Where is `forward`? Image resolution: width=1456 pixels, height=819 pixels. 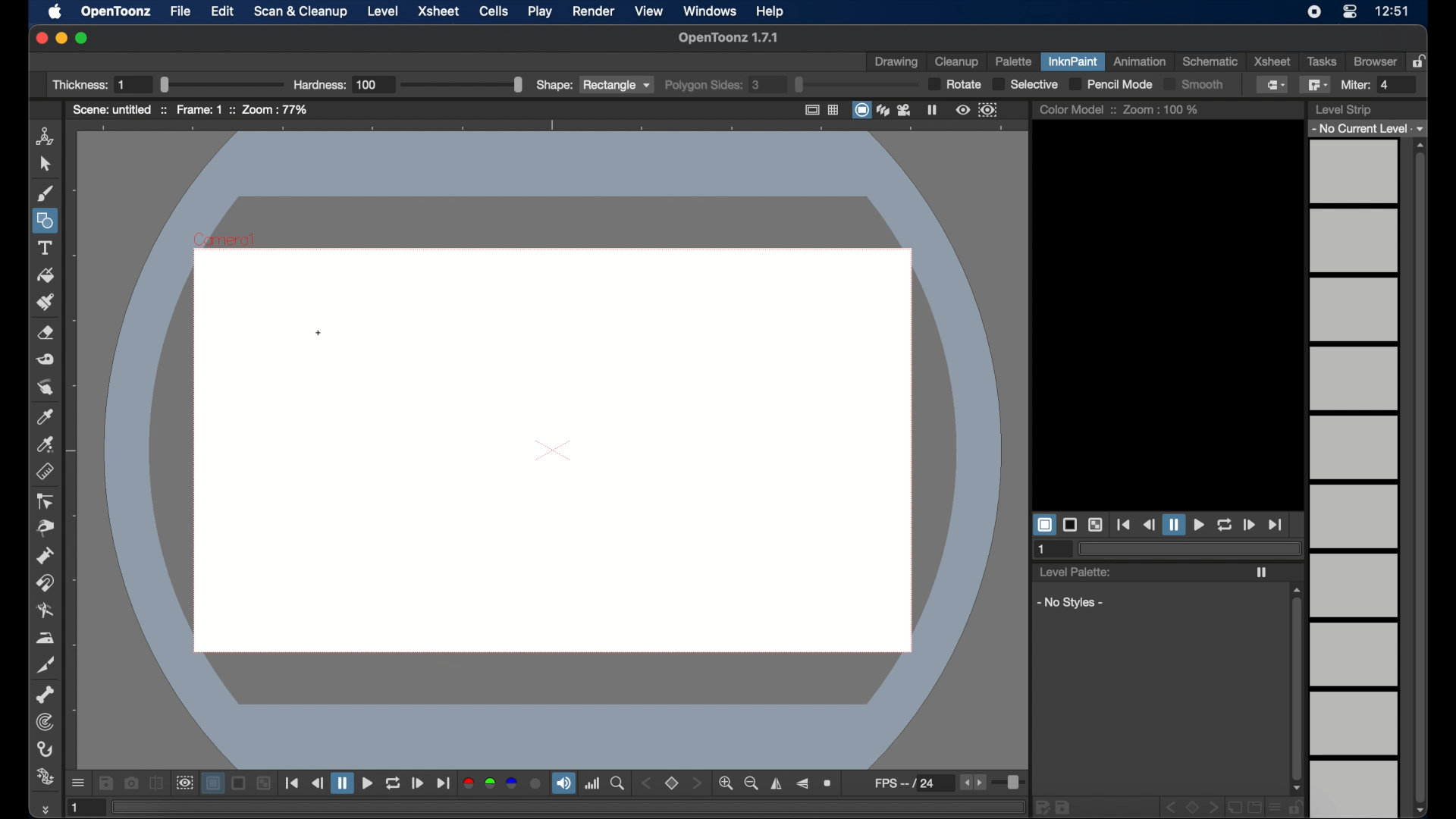
forward is located at coordinates (418, 783).